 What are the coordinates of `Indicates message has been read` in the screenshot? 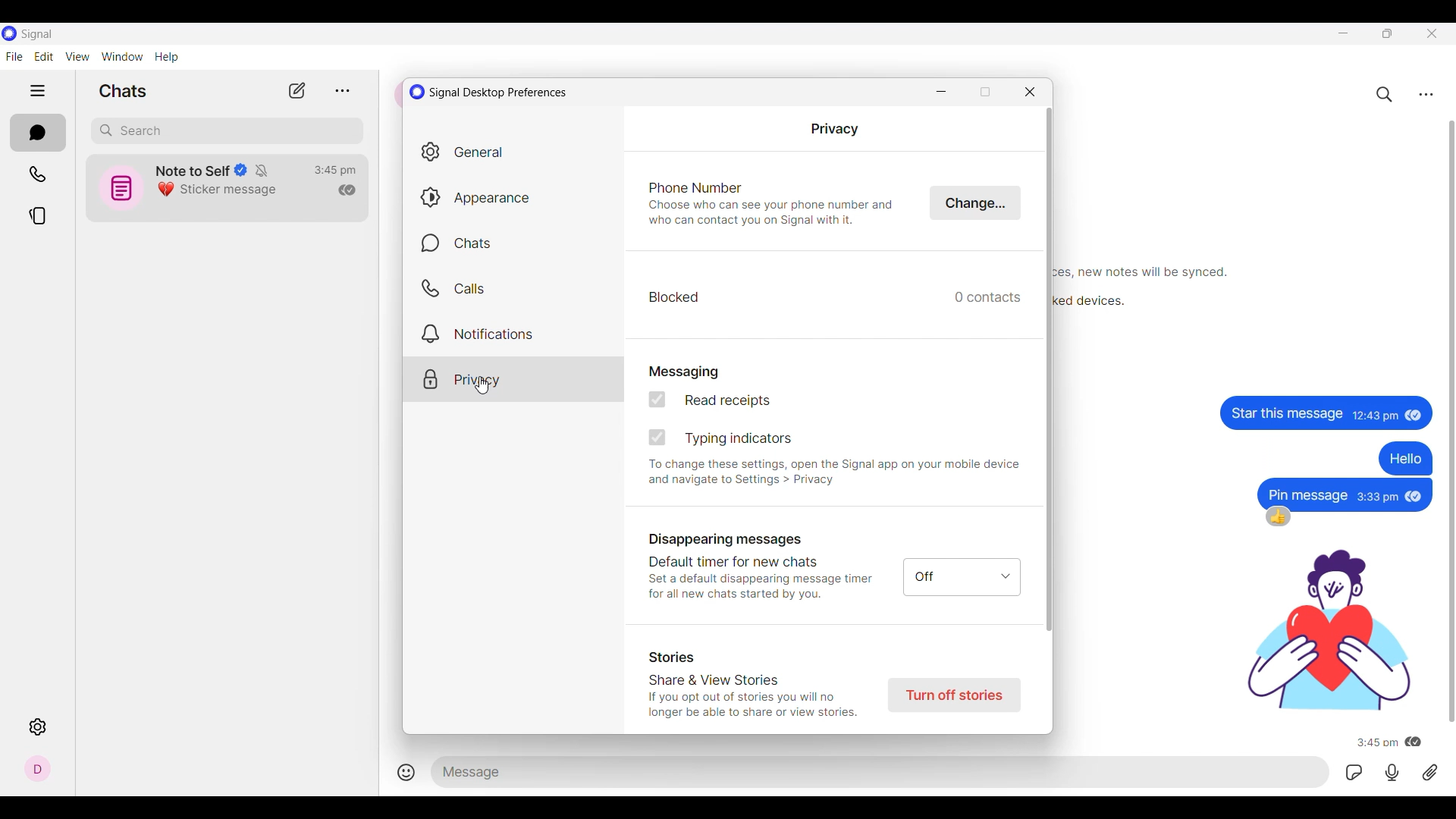 It's located at (1414, 417).